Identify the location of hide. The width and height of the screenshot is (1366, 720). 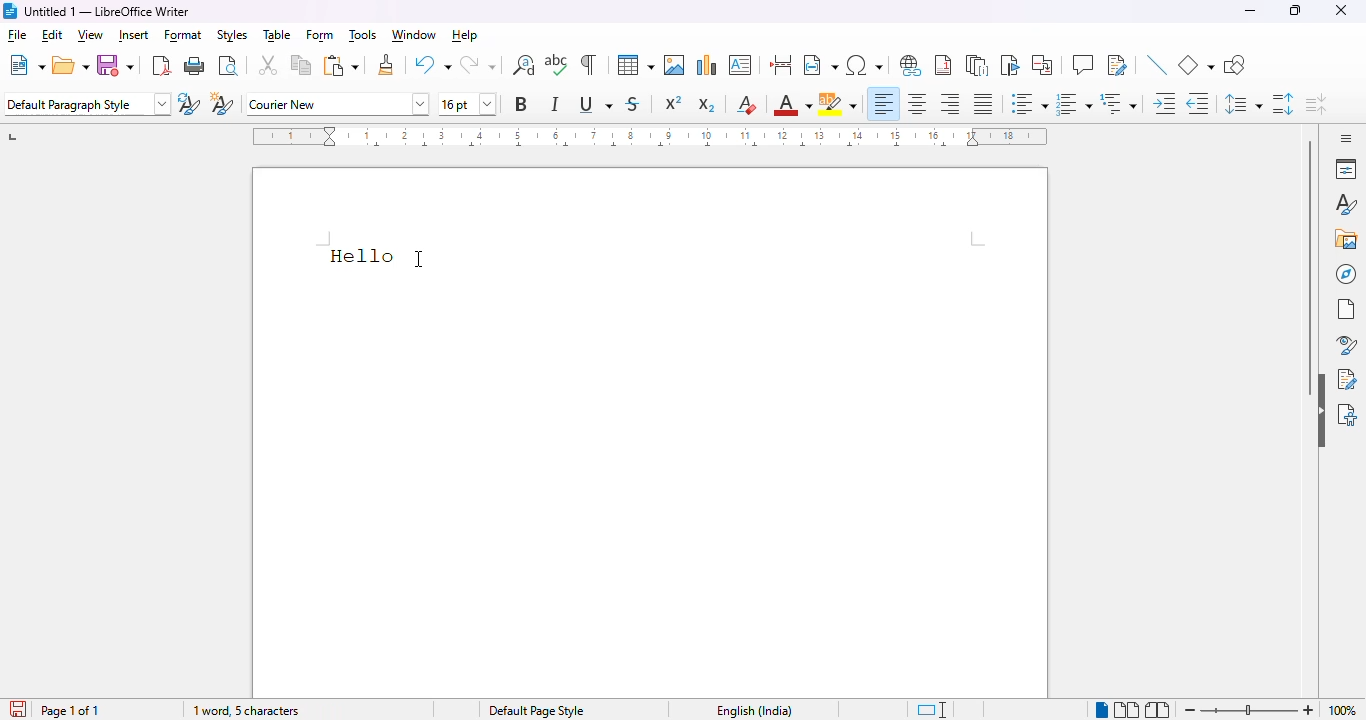
(1320, 411).